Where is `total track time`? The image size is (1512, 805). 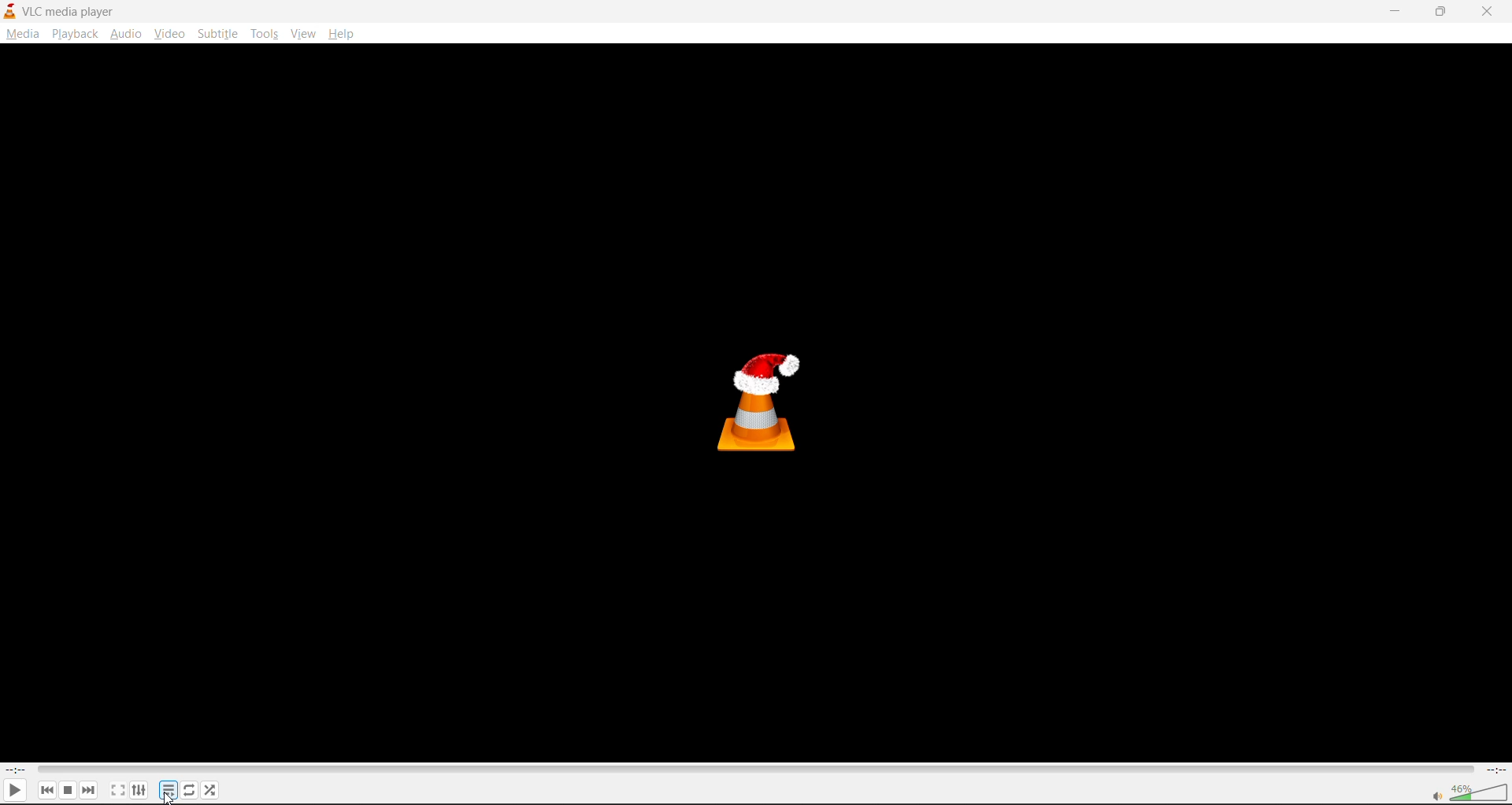 total track time is located at coordinates (1494, 768).